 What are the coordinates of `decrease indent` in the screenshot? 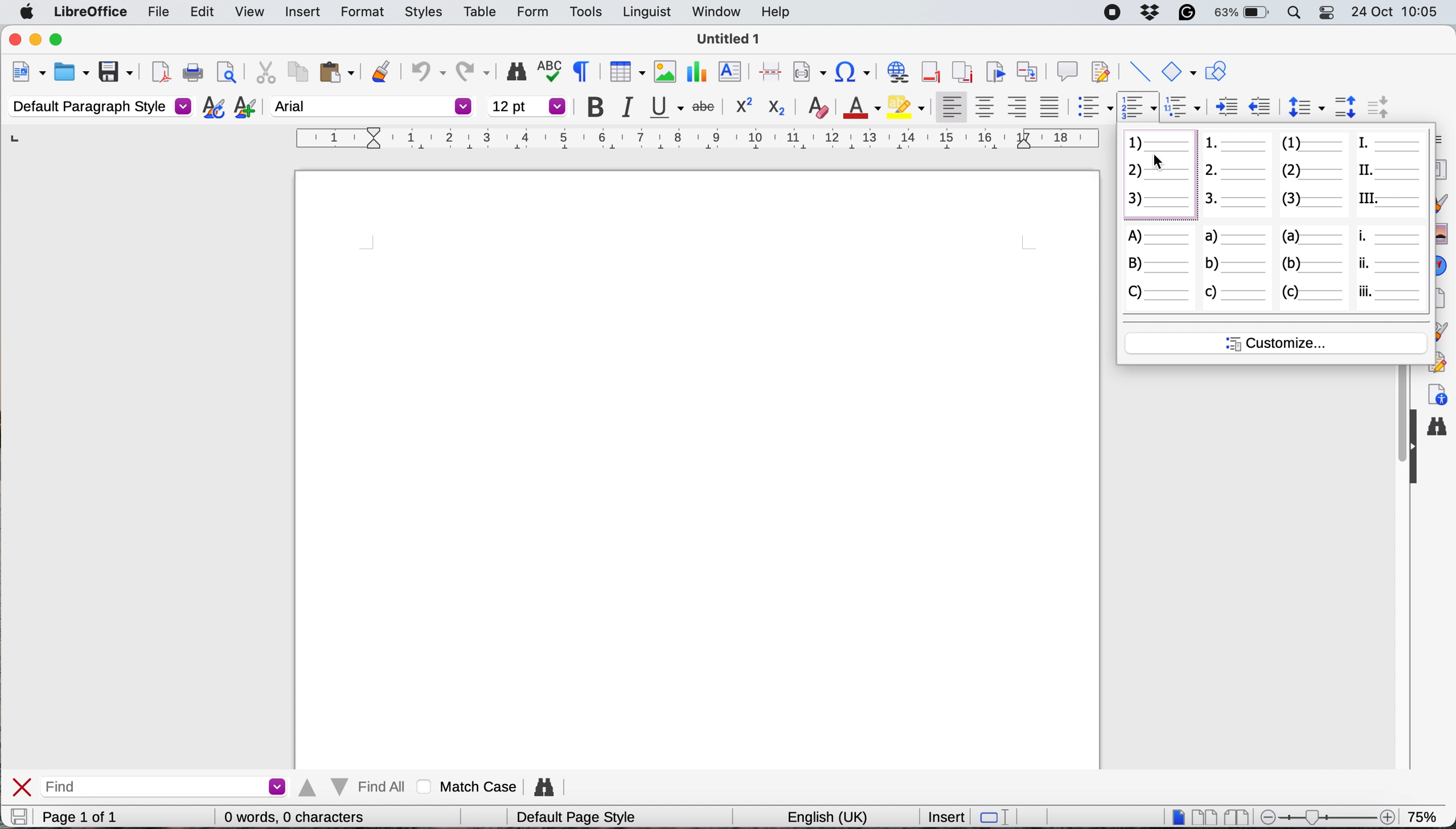 It's located at (1226, 105).